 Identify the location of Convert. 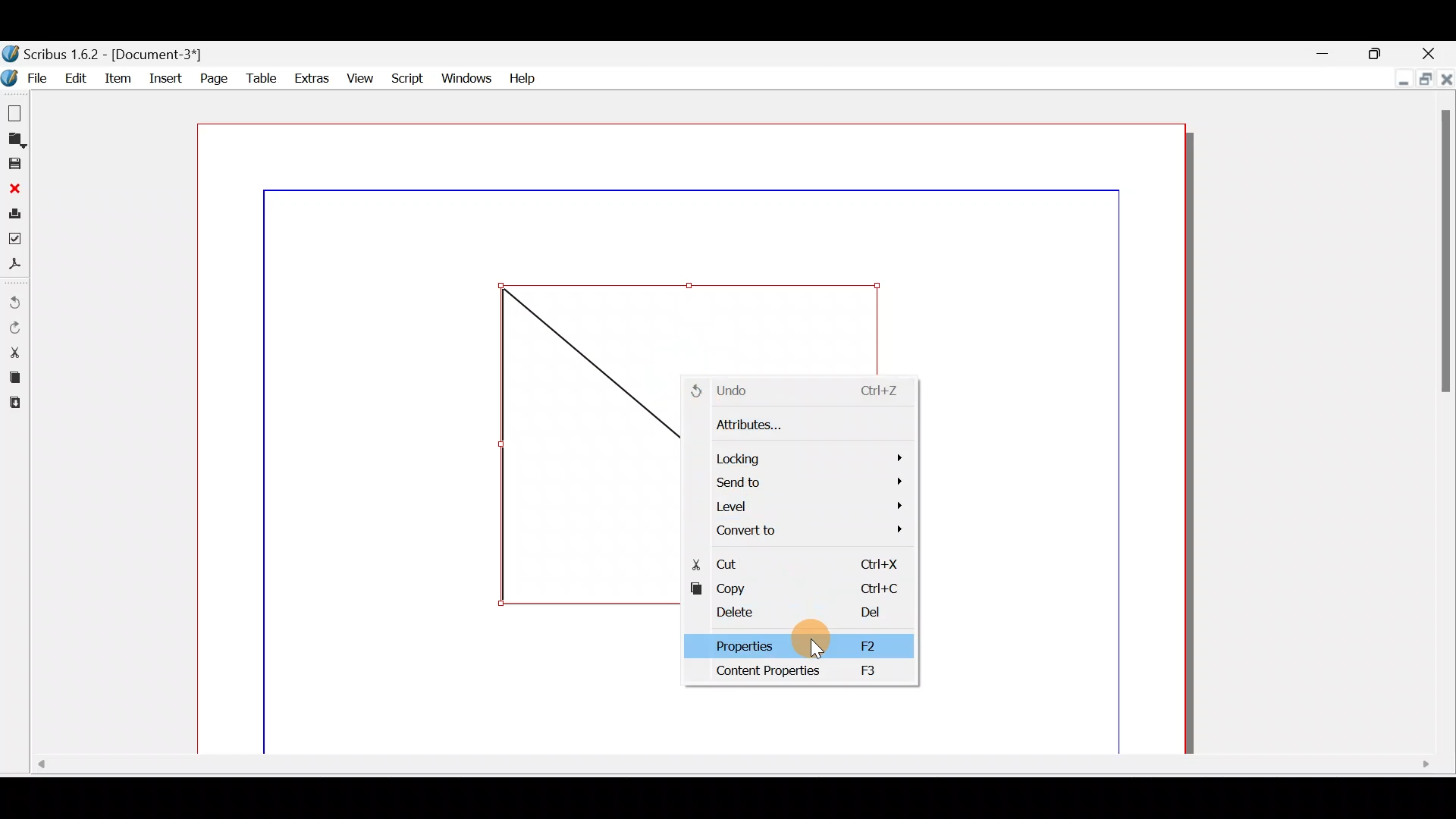
(809, 528).